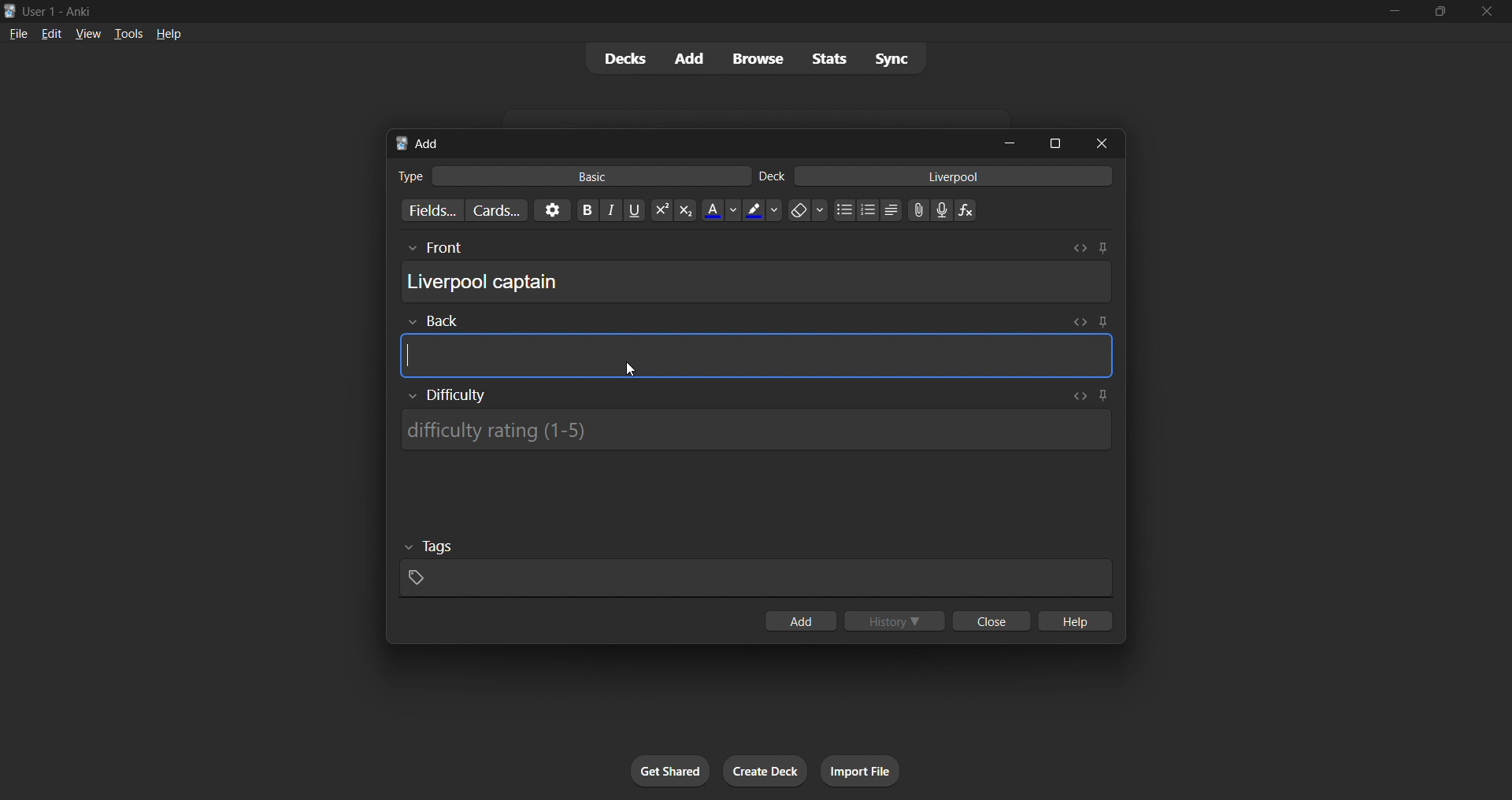 The width and height of the screenshot is (1512, 800). I want to click on Toggle sticky, so click(1100, 324).